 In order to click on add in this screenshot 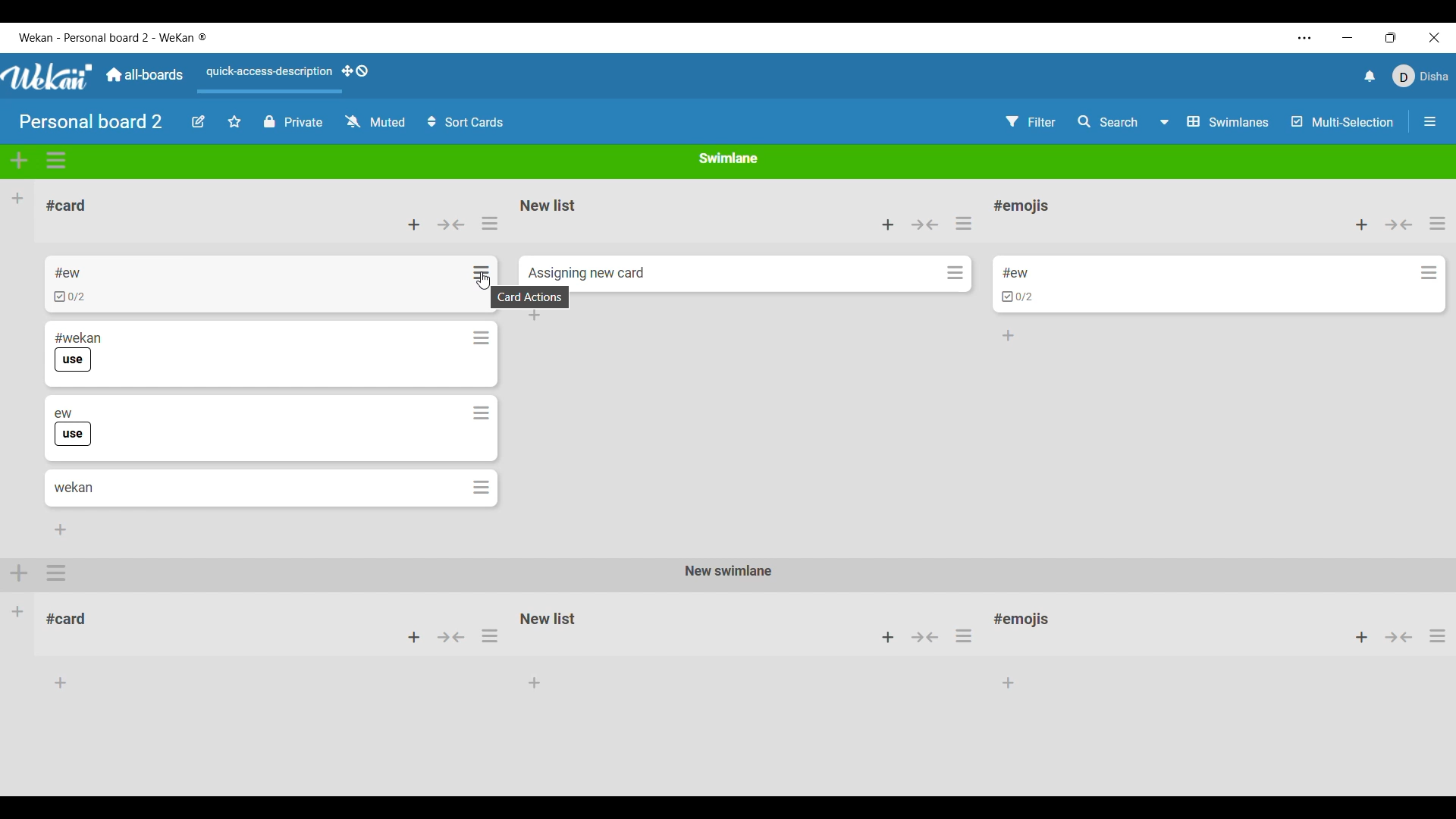, I will do `click(20, 571)`.